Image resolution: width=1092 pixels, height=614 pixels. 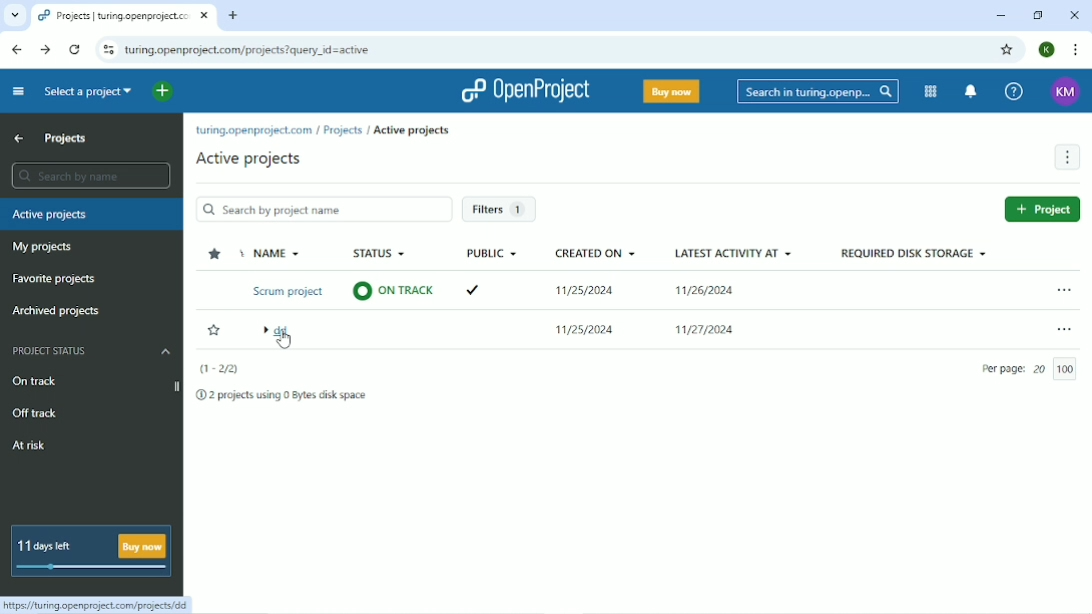 I want to click on Favorite projects, so click(x=57, y=278).